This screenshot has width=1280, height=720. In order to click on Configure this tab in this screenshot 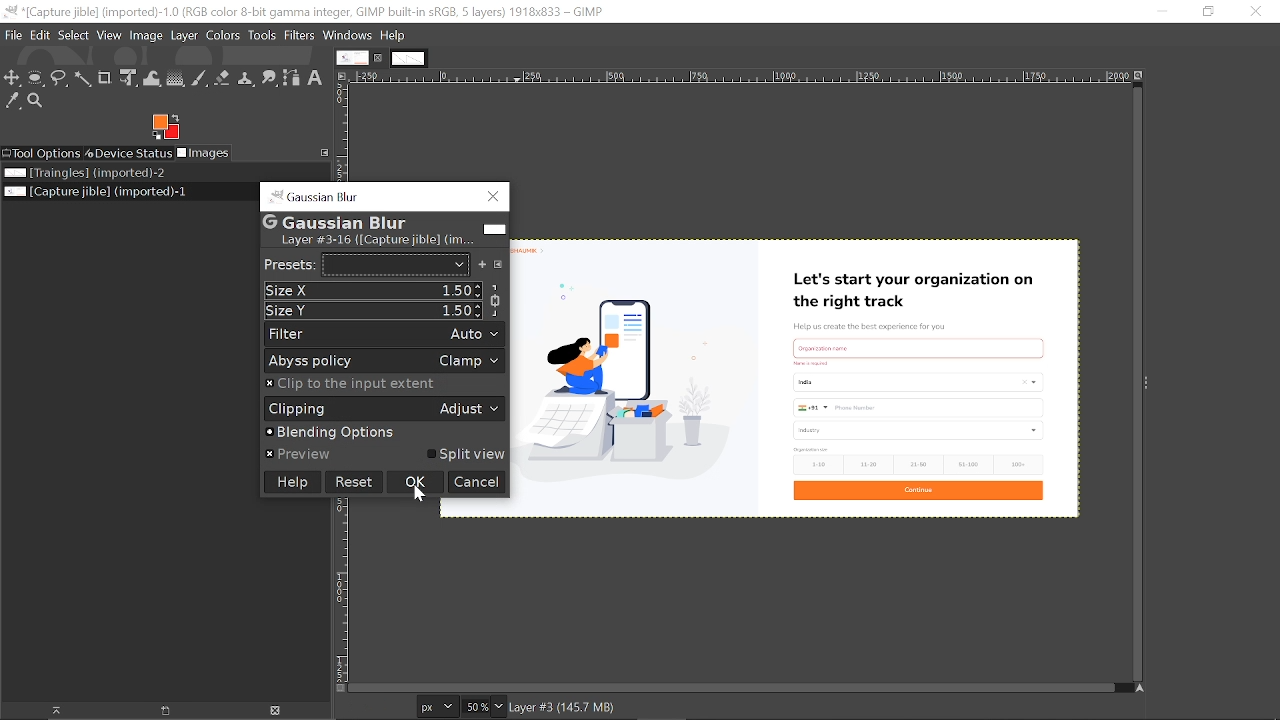, I will do `click(340, 76)`.